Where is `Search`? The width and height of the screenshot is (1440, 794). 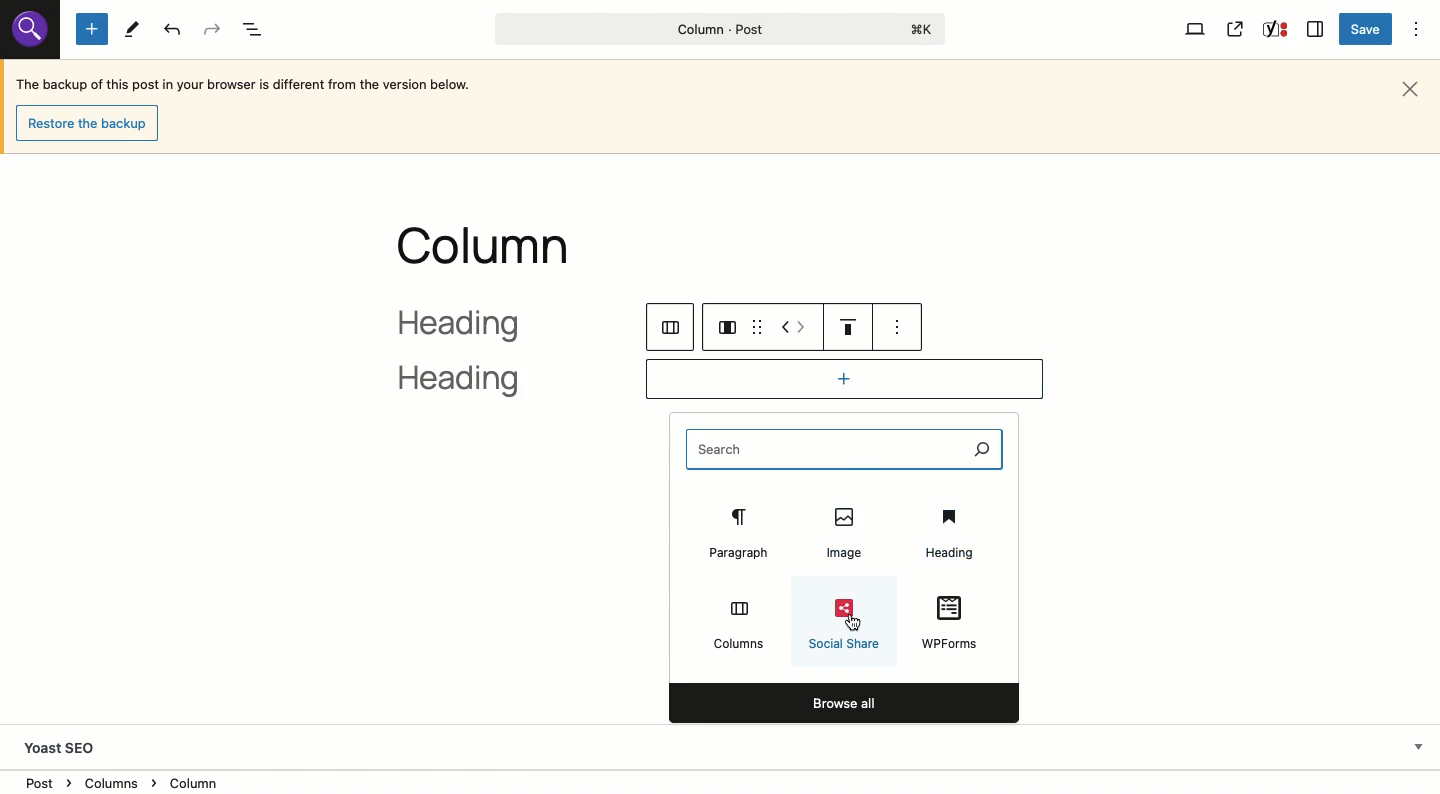
Search is located at coordinates (846, 448).